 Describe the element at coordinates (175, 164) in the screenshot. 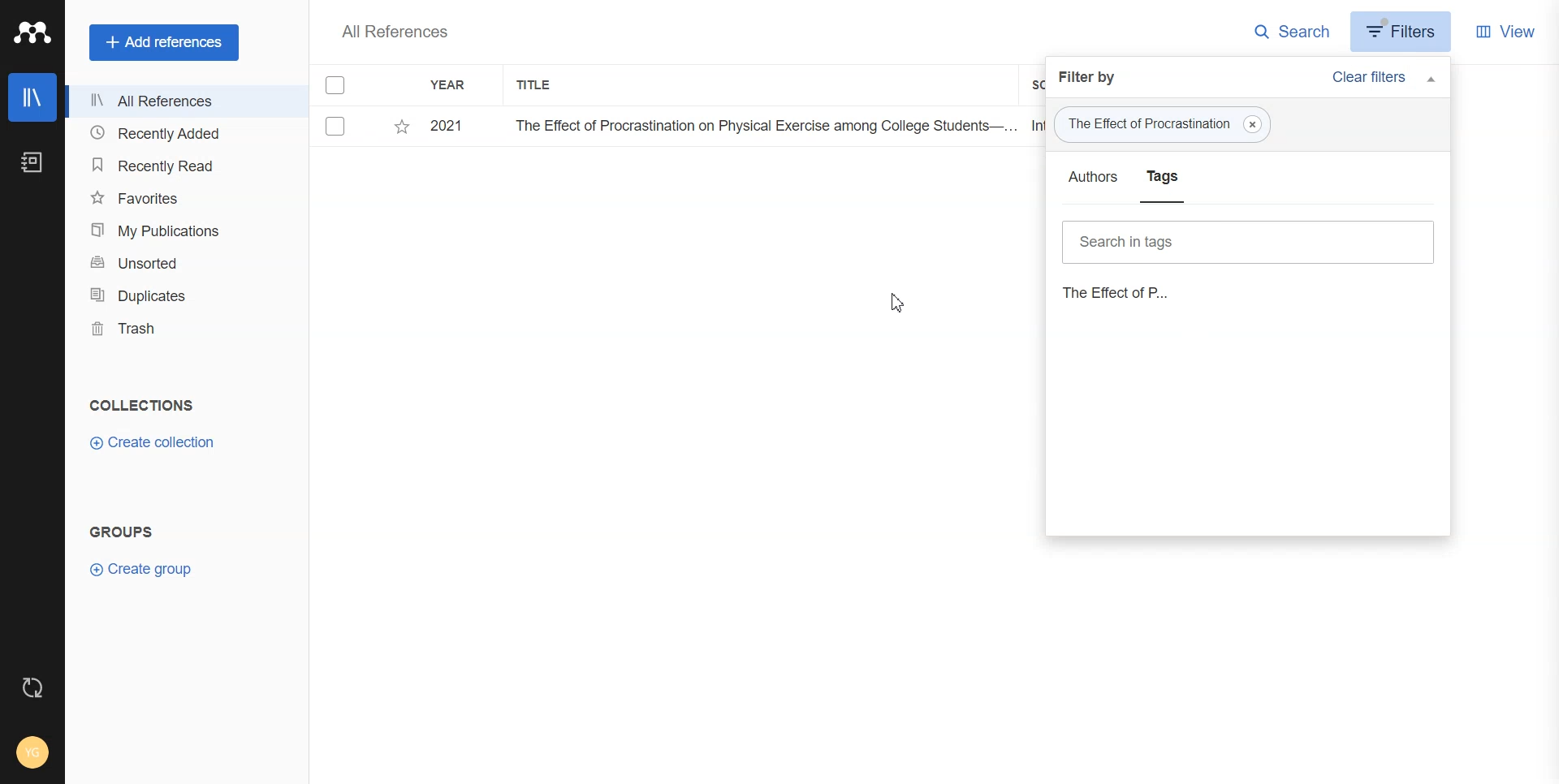

I see `Recently Read` at that location.